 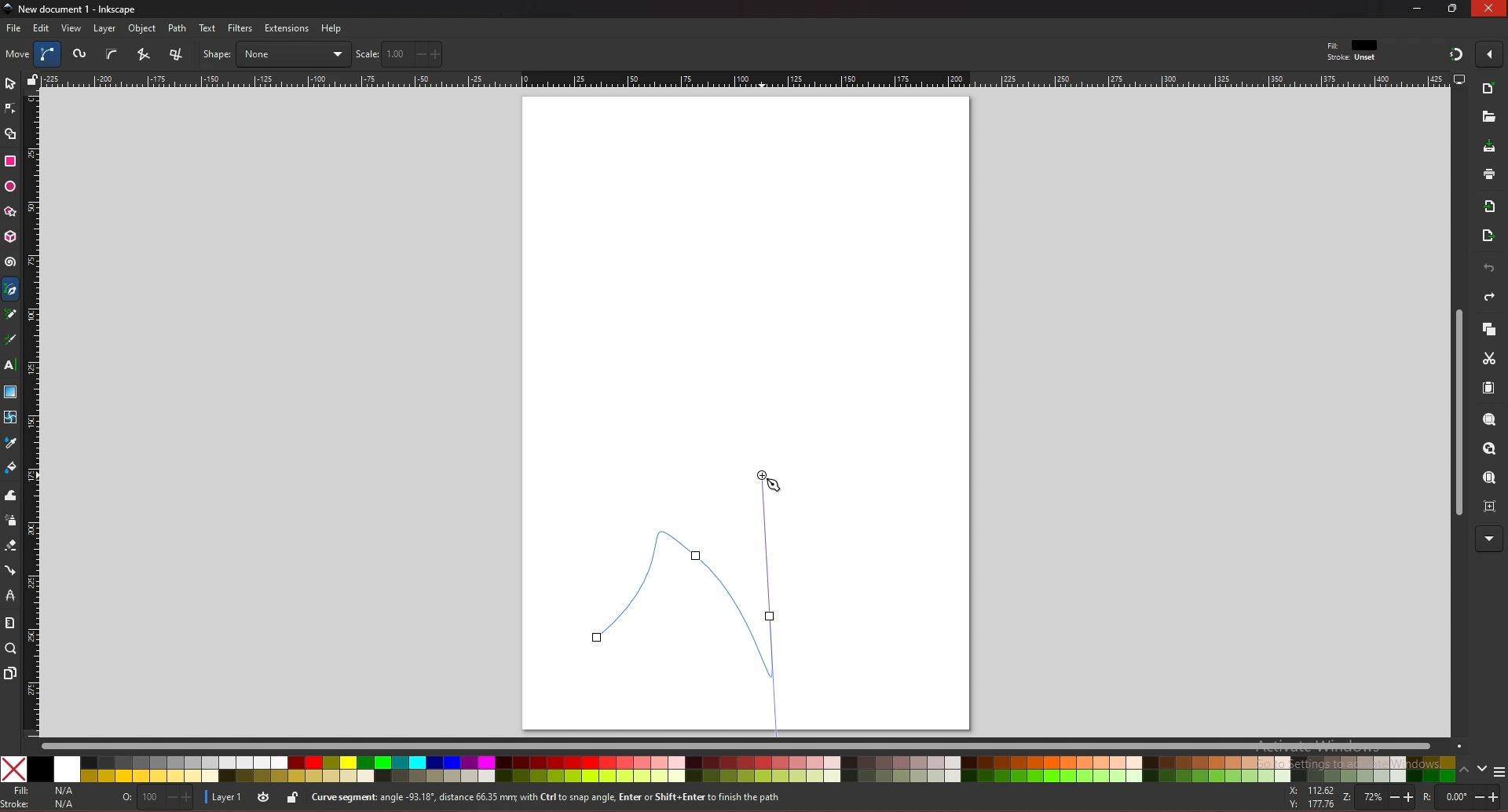 What do you see at coordinates (49, 54) in the screenshot?
I see `bezier curve` at bounding box center [49, 54].